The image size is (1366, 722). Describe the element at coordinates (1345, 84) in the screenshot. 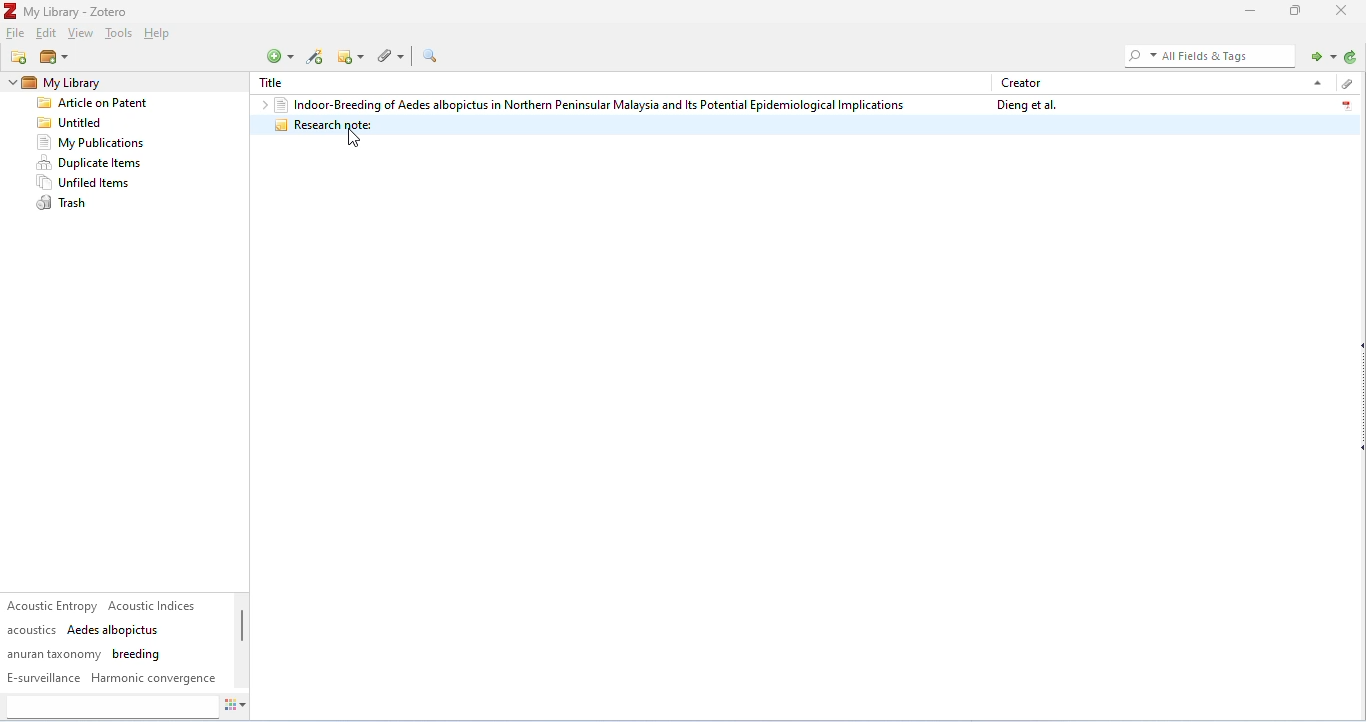

I see `attachment` at that location.